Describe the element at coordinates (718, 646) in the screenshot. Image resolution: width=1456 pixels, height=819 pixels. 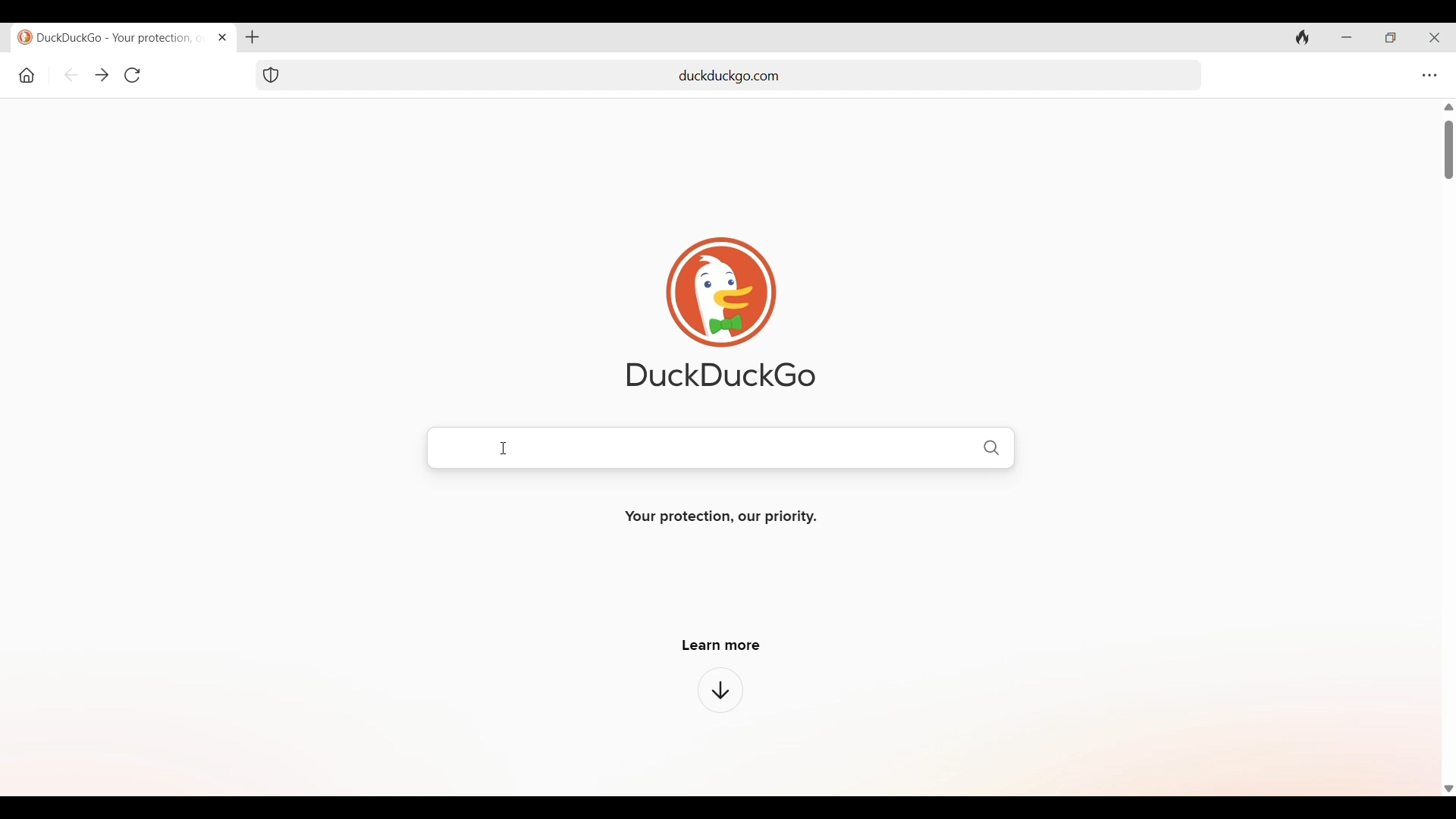
I see `learn more` at that location.